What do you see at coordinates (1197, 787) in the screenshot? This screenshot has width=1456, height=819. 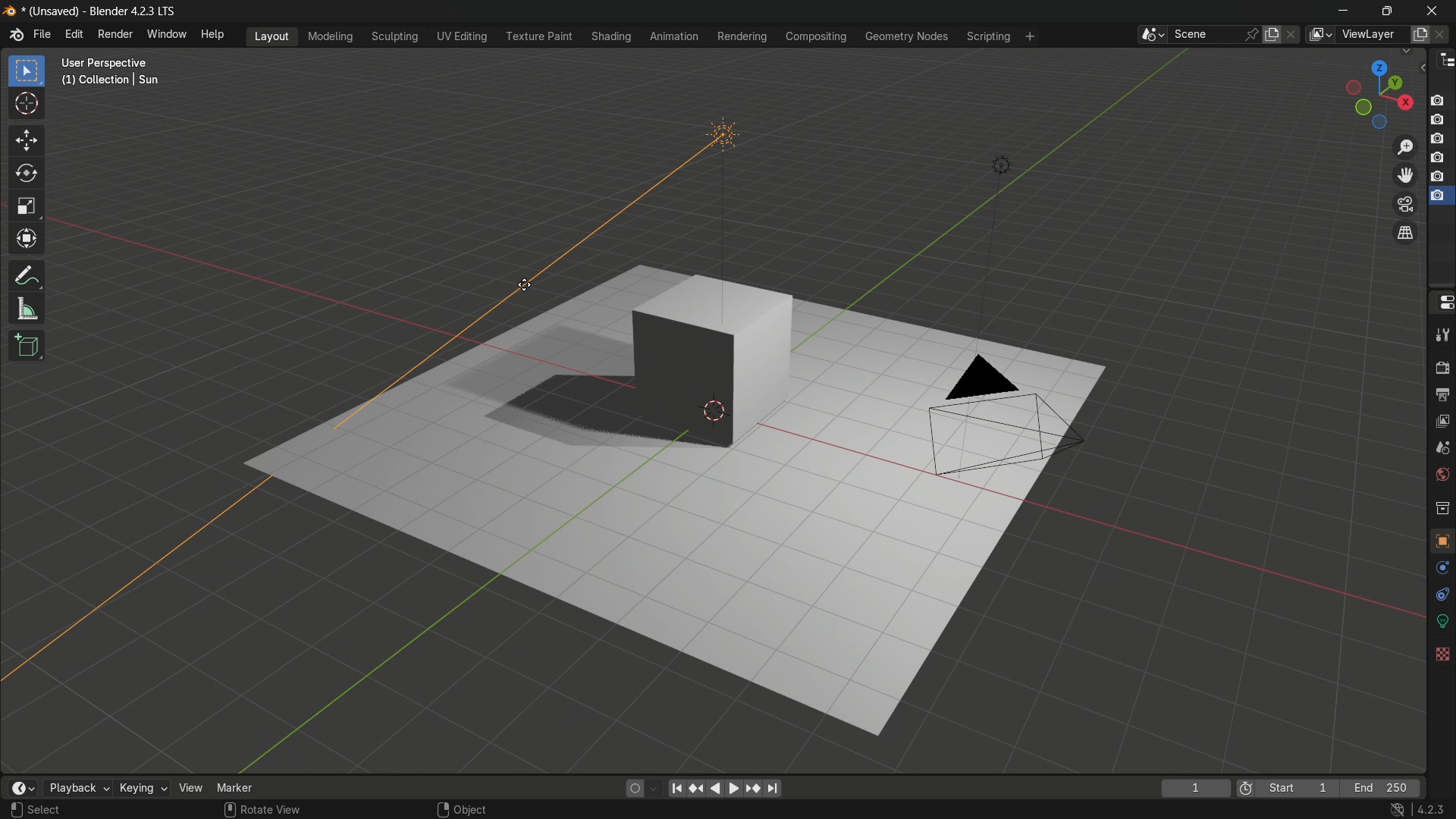 I see `1` at bounding box center [1197, 787].